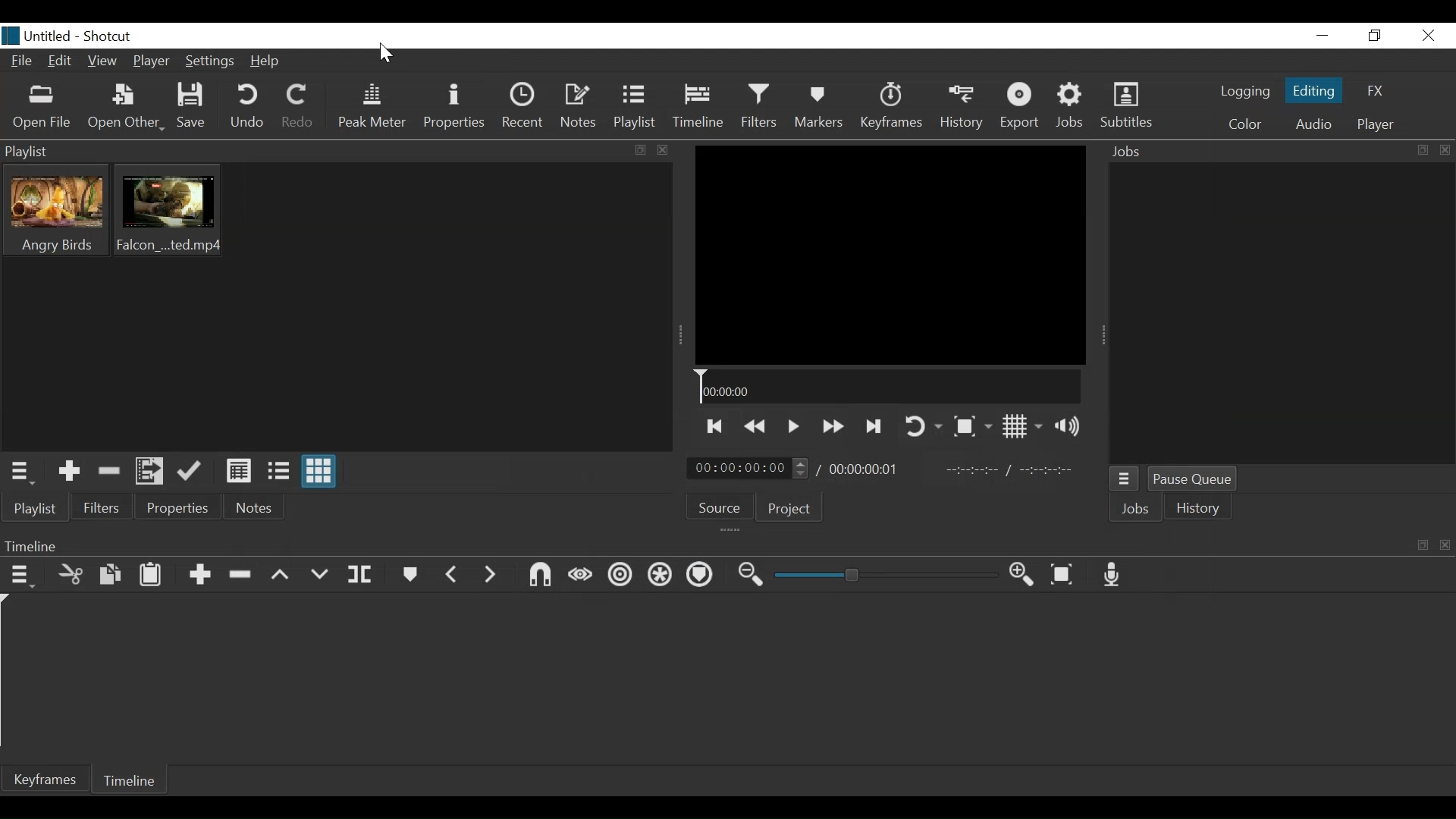 The width and height of the screenshot is (1456, 819). I want to click on Record audio, so click(1116, 575).